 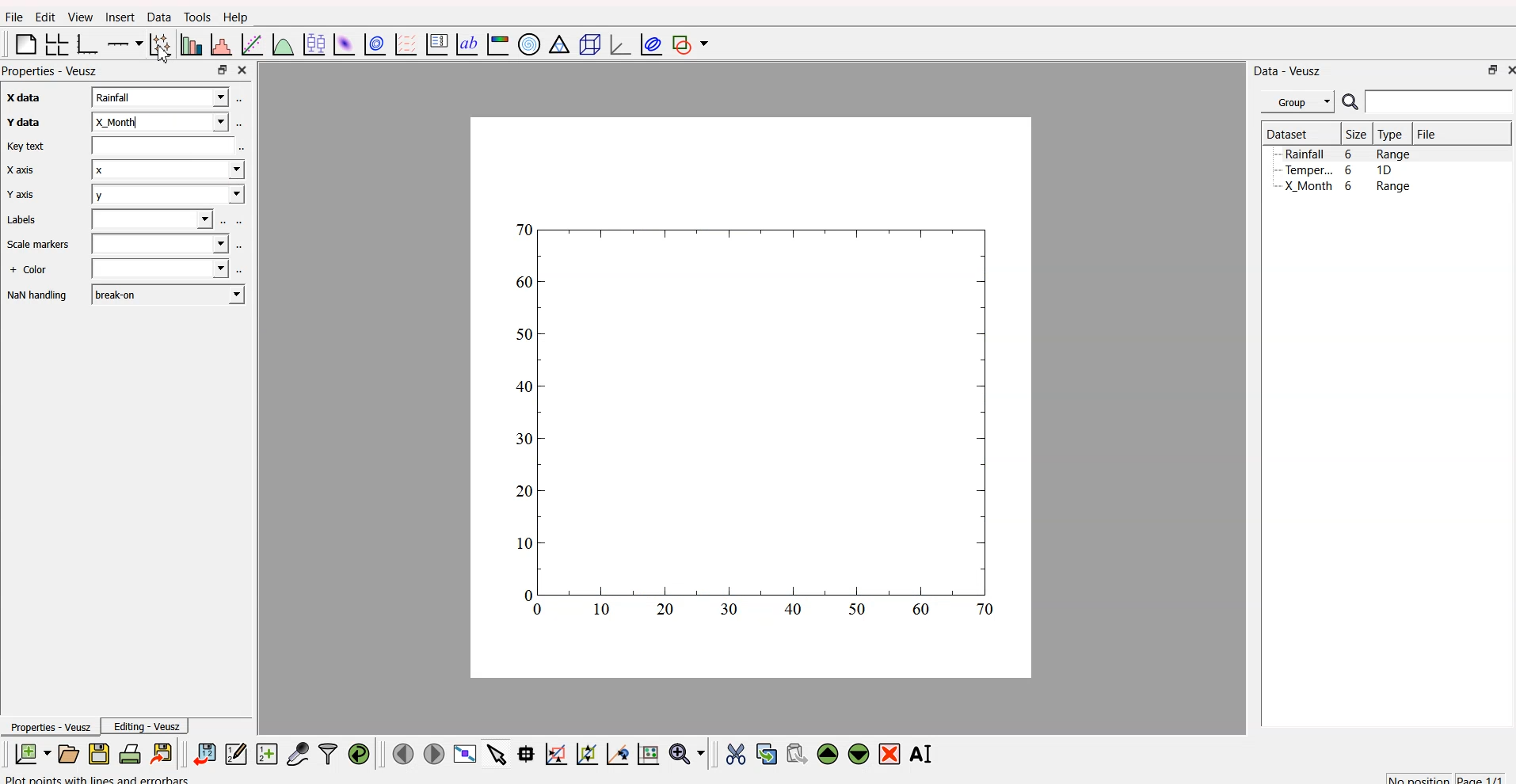 I want to click on Y axis, so click(x=20, y=196).